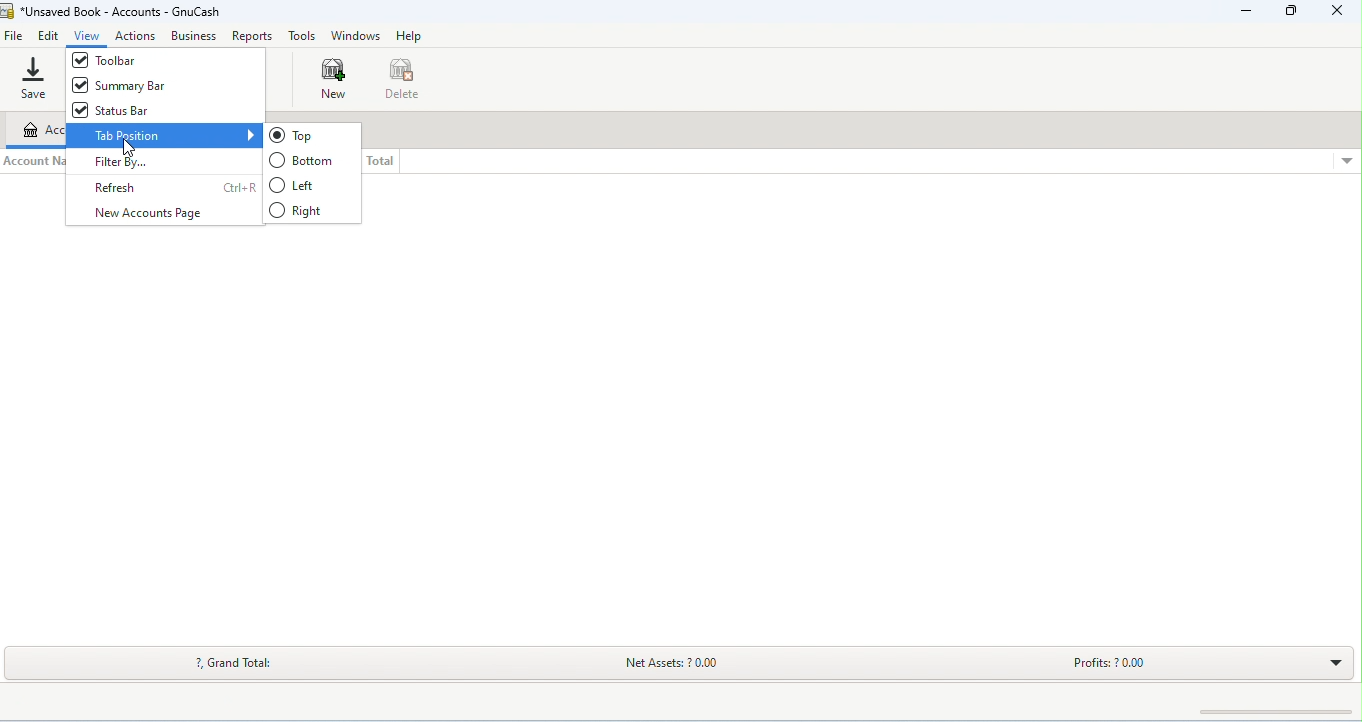  What do you see at coordinates (1288, 10) in the screenshot?
I see `maximize` at bounding box center [1288, 10].